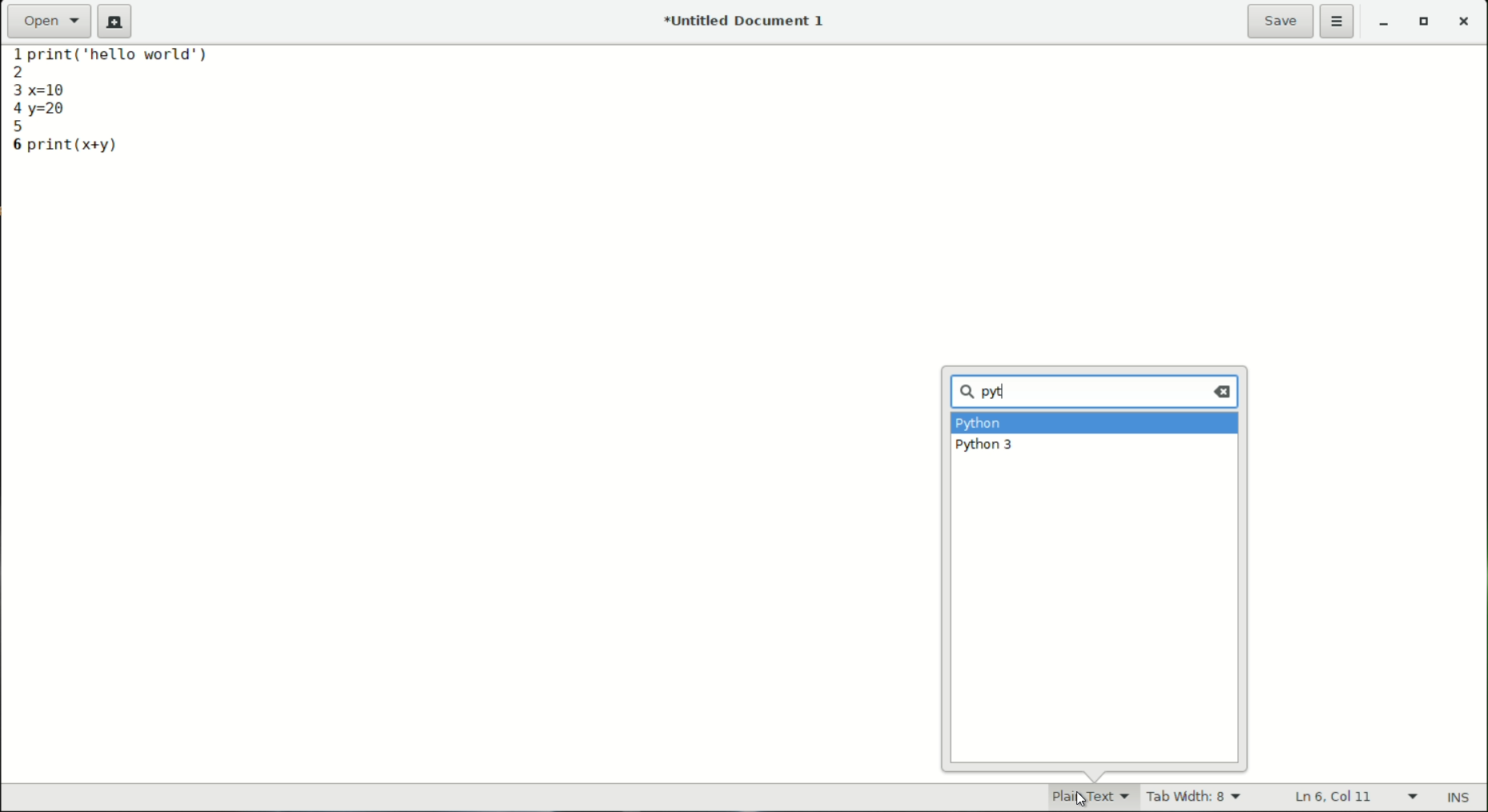  Describe the element at coordinates (979, 425) in the screenshot. I see `python` at that location.